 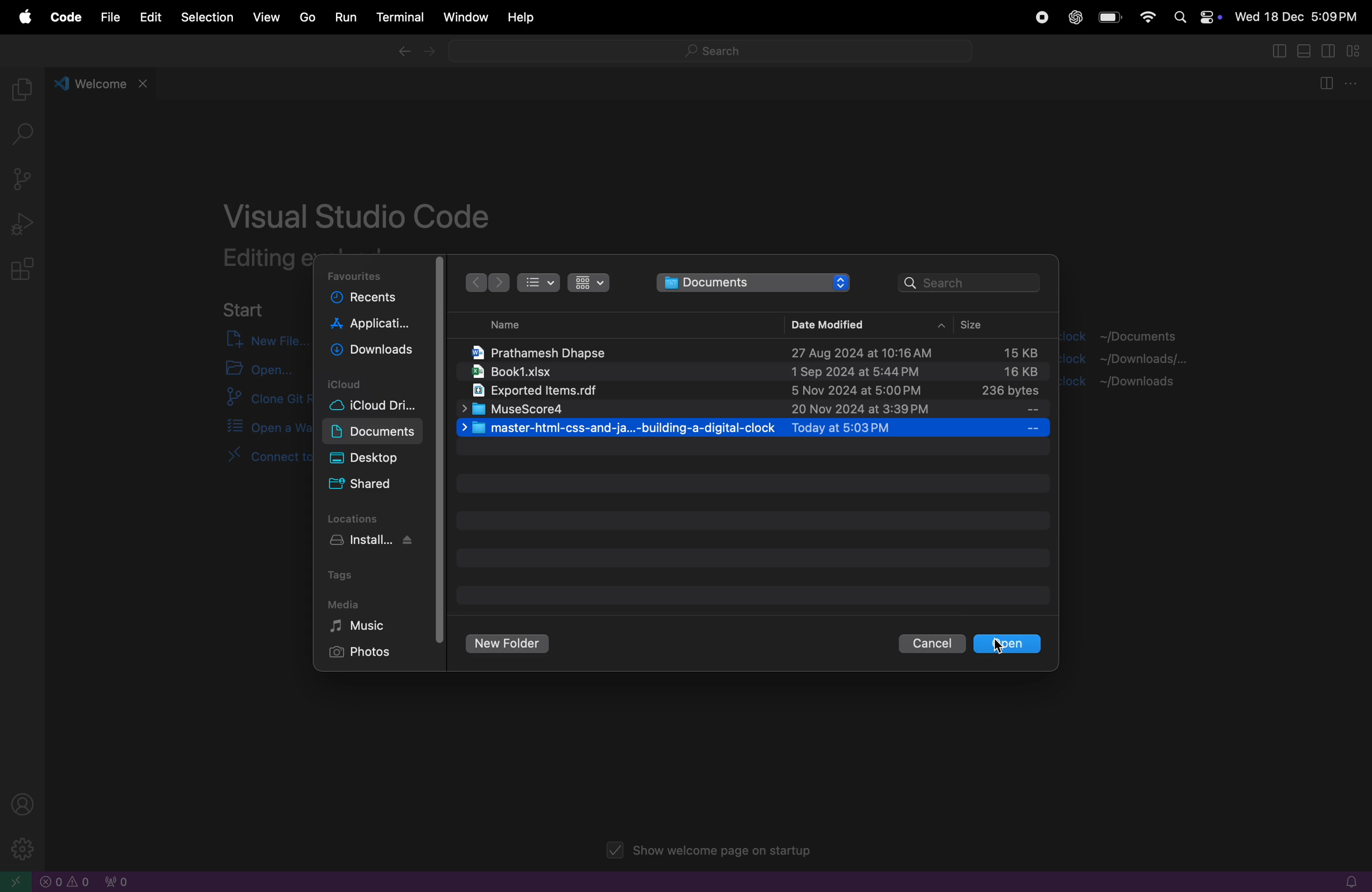 What do you see at coordinates (1195, 16) in the screenshot?
I see `apple widgets` at bounding box center [1195, 16].